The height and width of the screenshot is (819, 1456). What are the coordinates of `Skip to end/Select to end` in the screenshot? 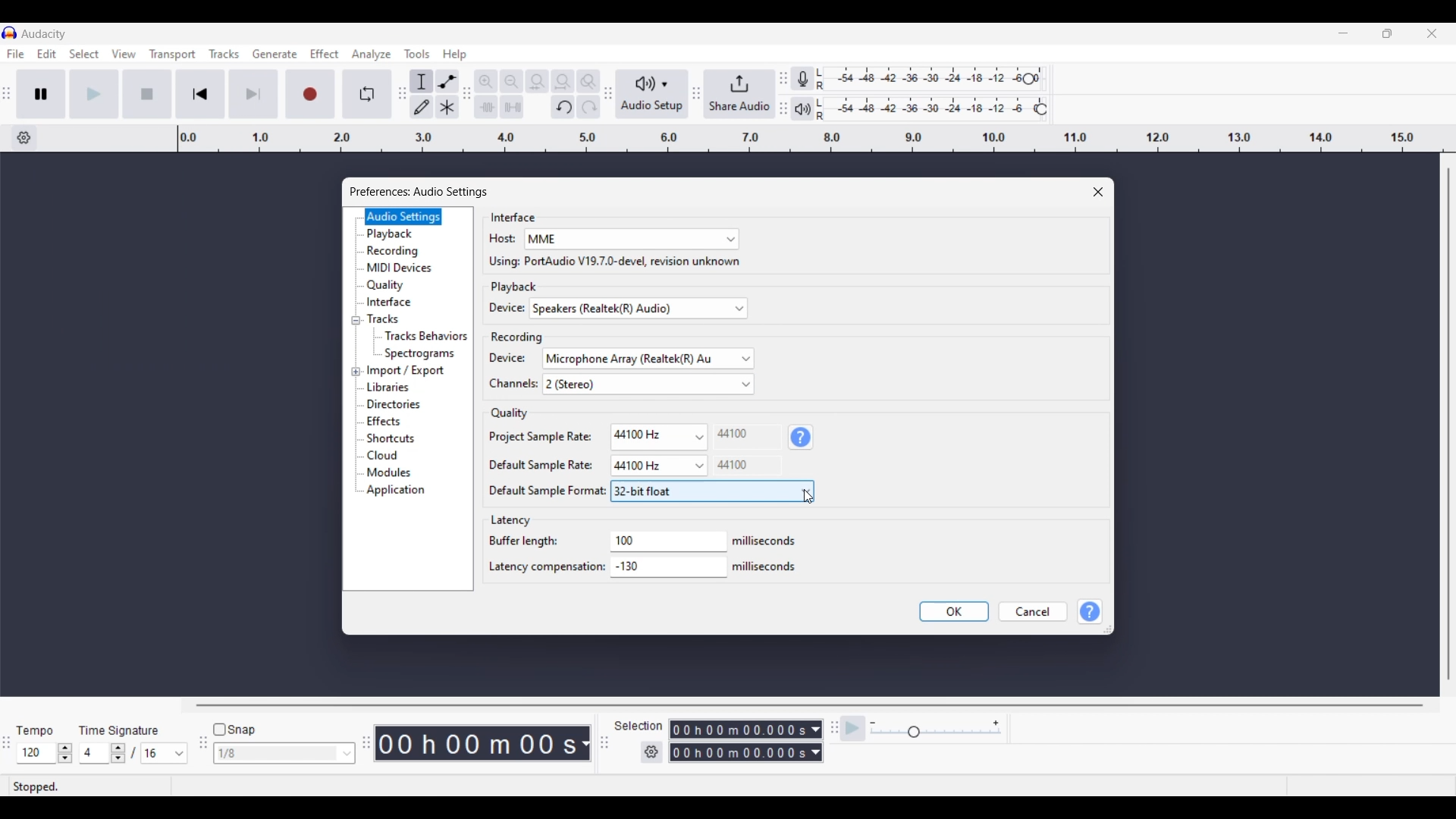 It's located at (253, 94).